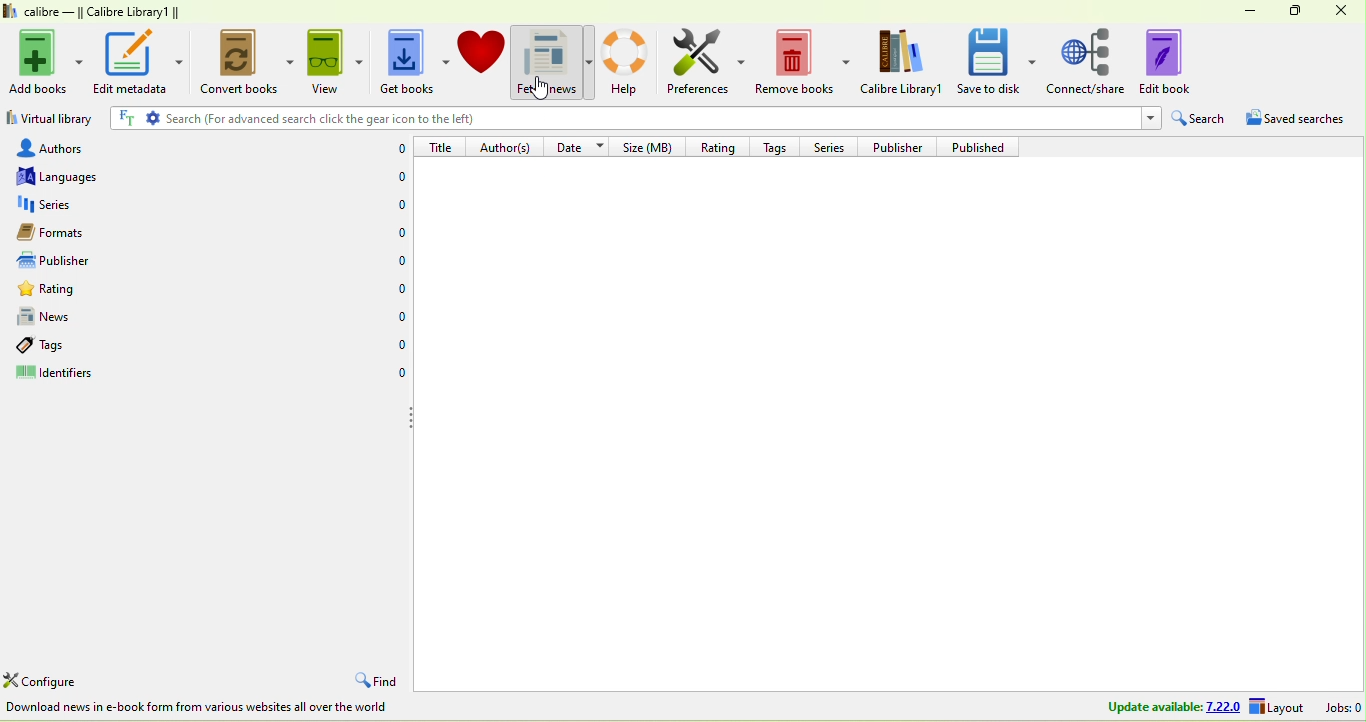 This screenshot has height=722, width=1366. Describe the element at coordinates (719, 146) in the screenshot. I see `rating` at that location.